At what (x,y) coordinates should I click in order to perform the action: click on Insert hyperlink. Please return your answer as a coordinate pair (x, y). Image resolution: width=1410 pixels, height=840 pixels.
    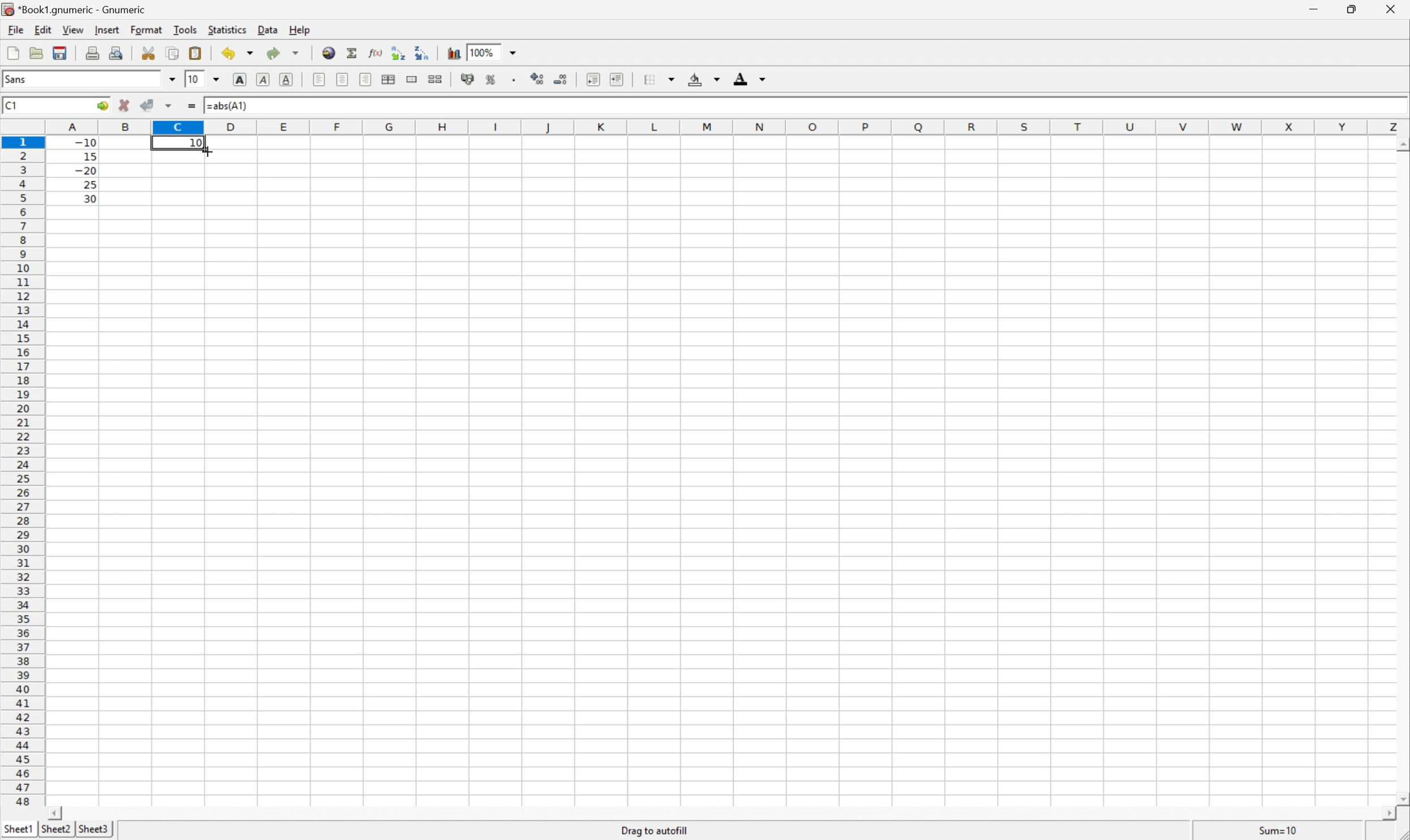
    Looking at the image, I should click on (327, 52).